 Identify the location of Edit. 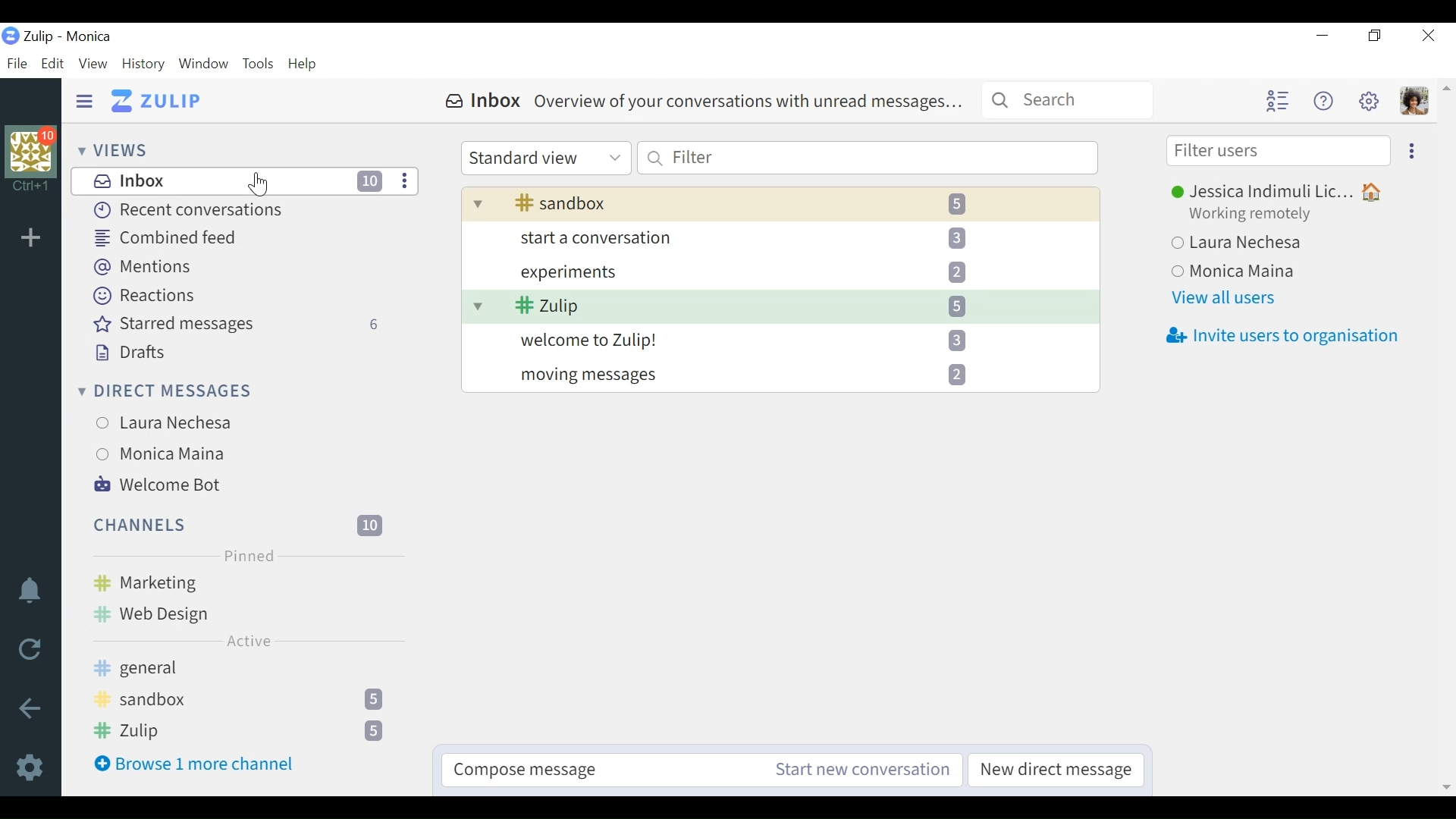
(52, 64).